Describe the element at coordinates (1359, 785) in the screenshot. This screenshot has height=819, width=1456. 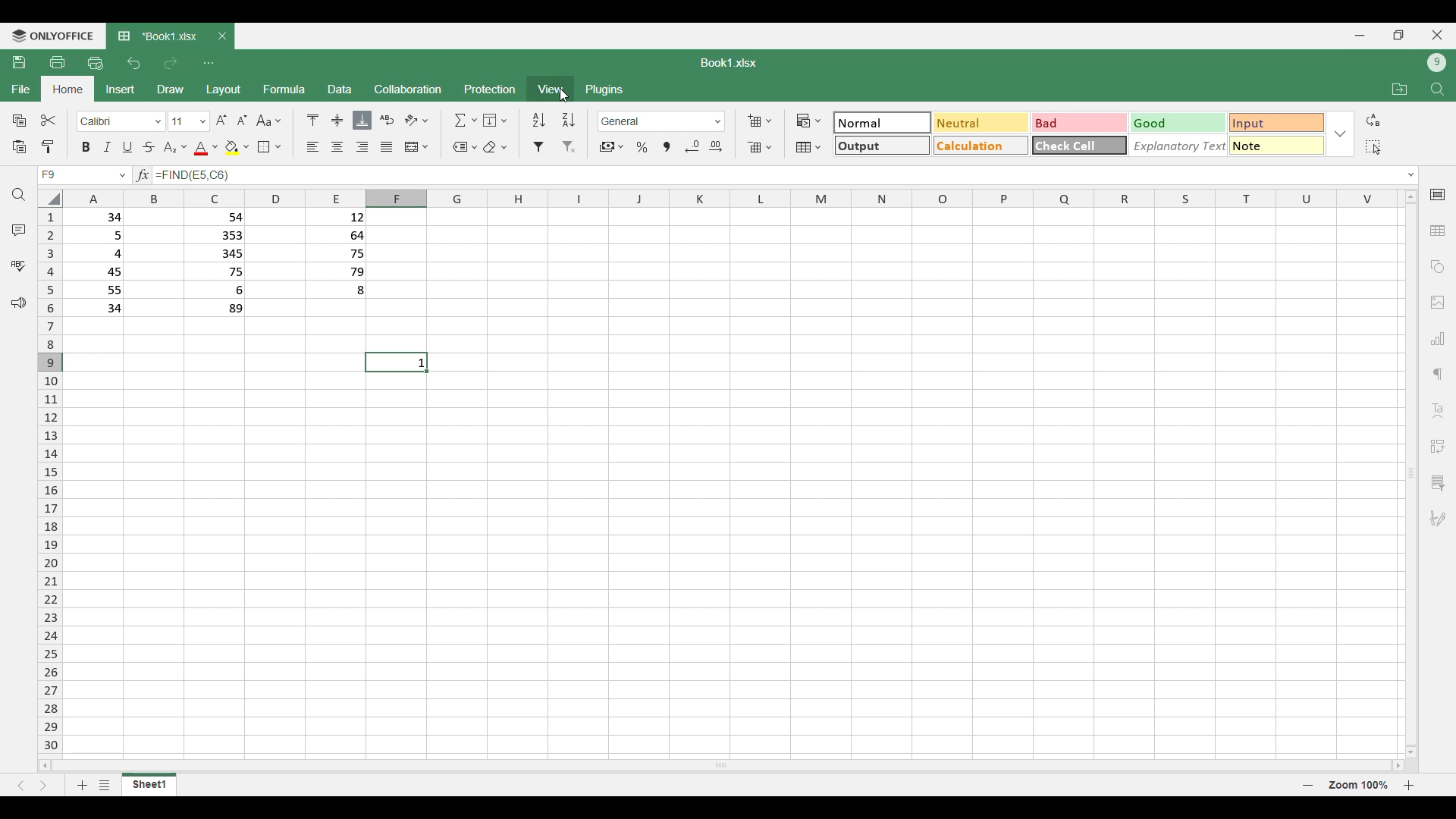
I see `Current zoom factor` at that location.